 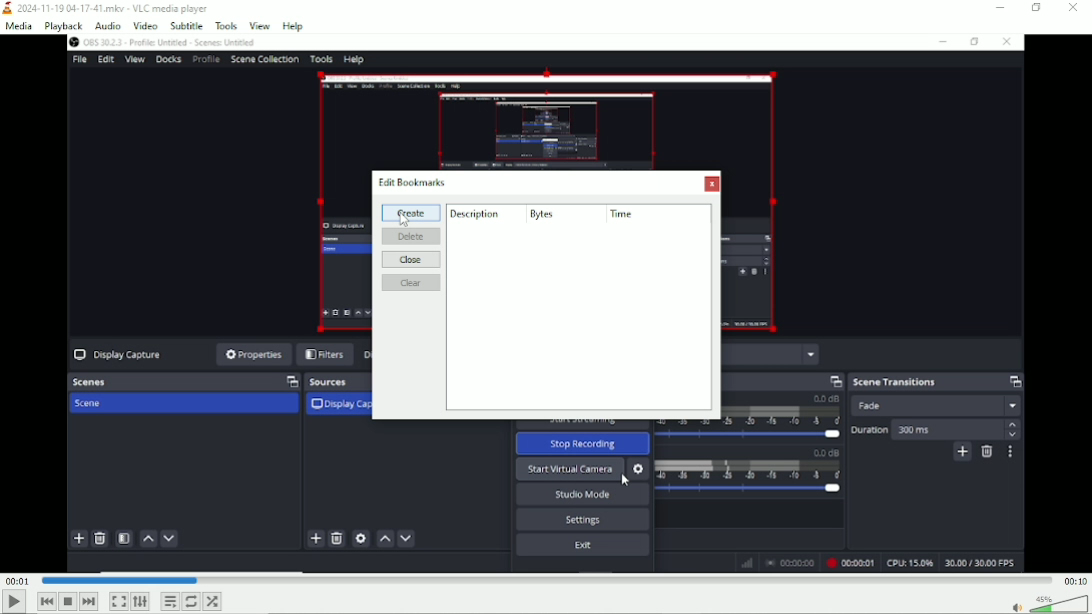 I want to click on Video, so click(x=145, y=25).